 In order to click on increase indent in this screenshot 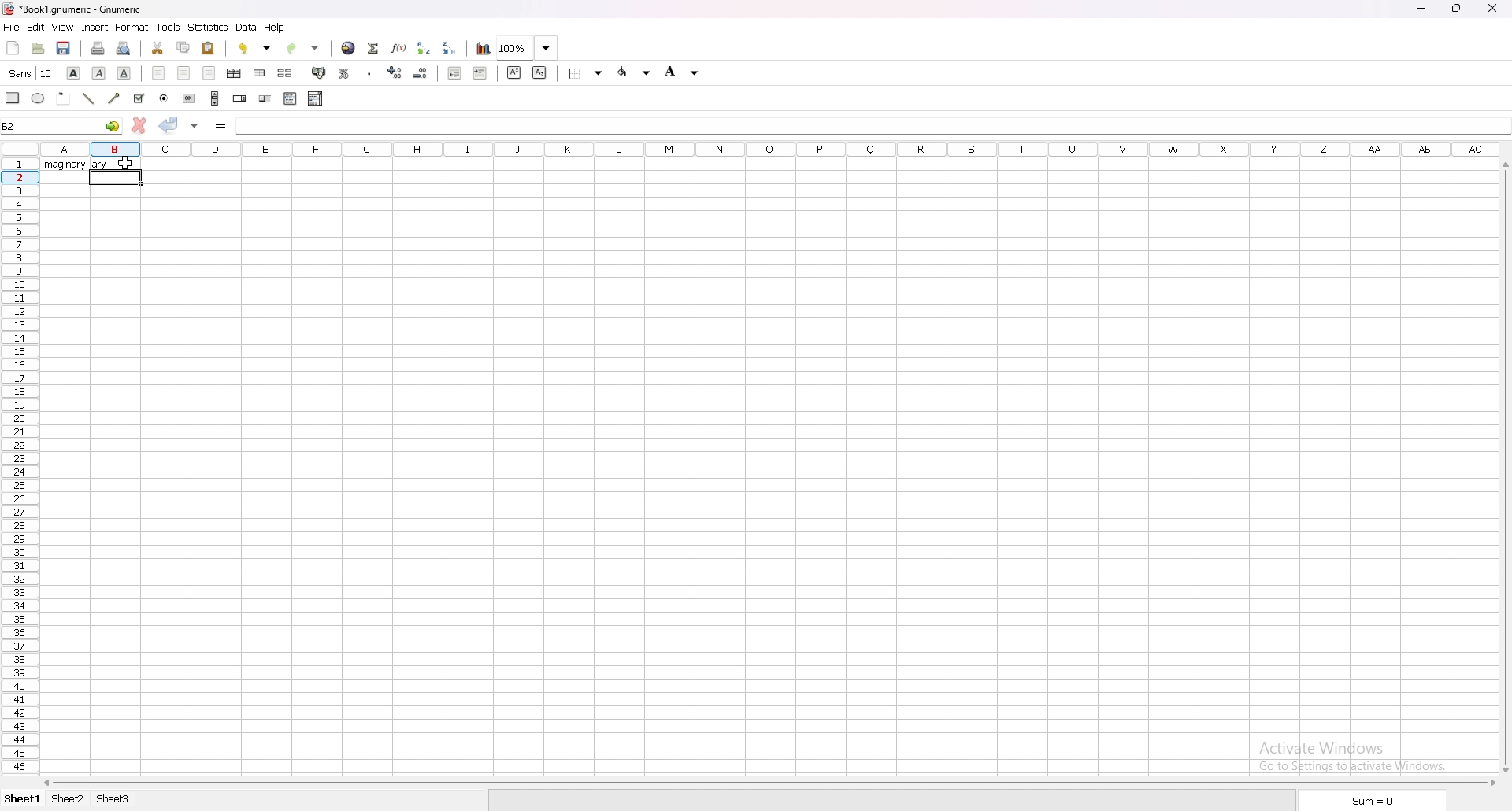, I will do `click(481, 74)`.